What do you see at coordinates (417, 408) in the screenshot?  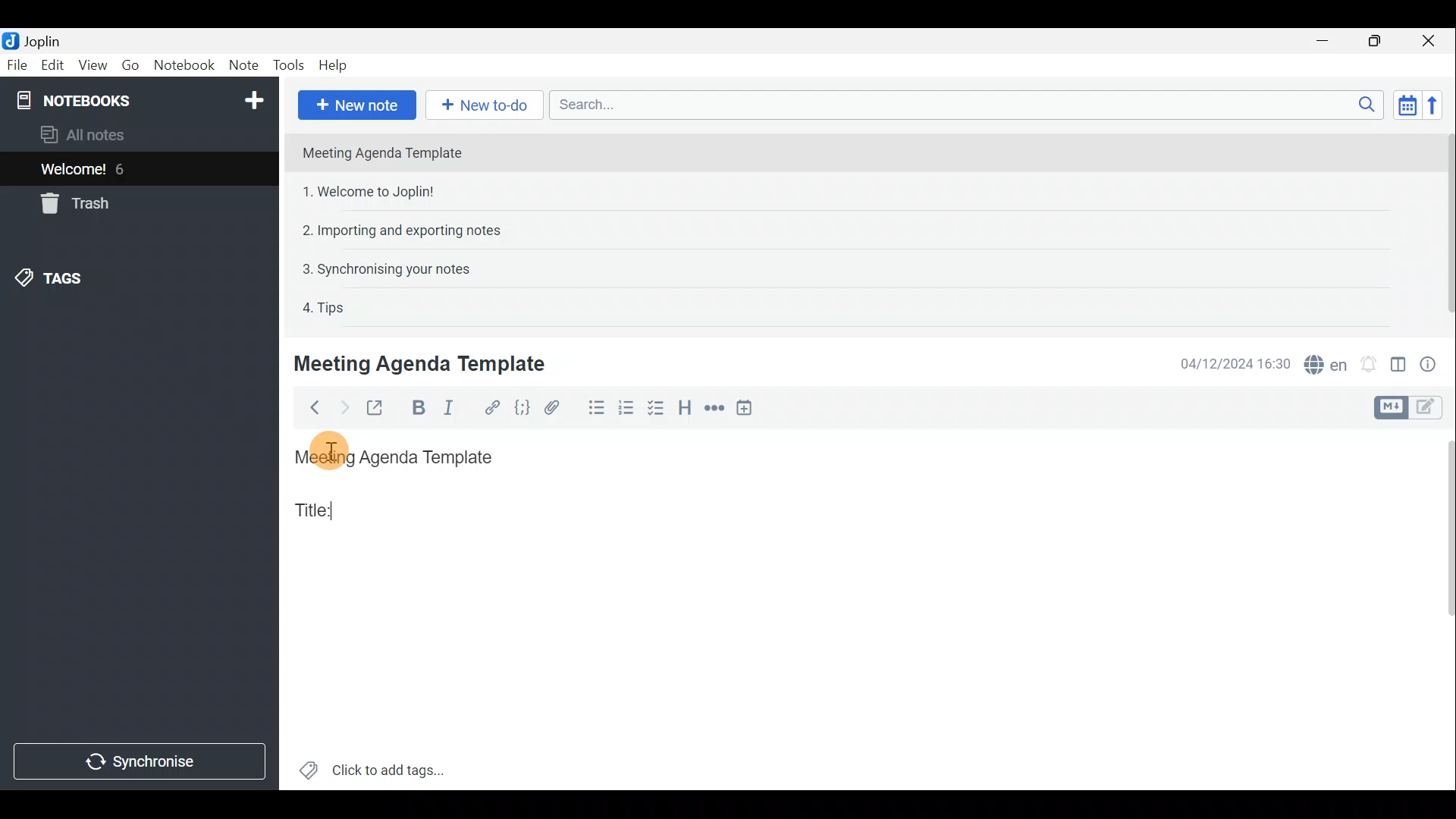 I see `Bold` at bounding box center [417, 408].